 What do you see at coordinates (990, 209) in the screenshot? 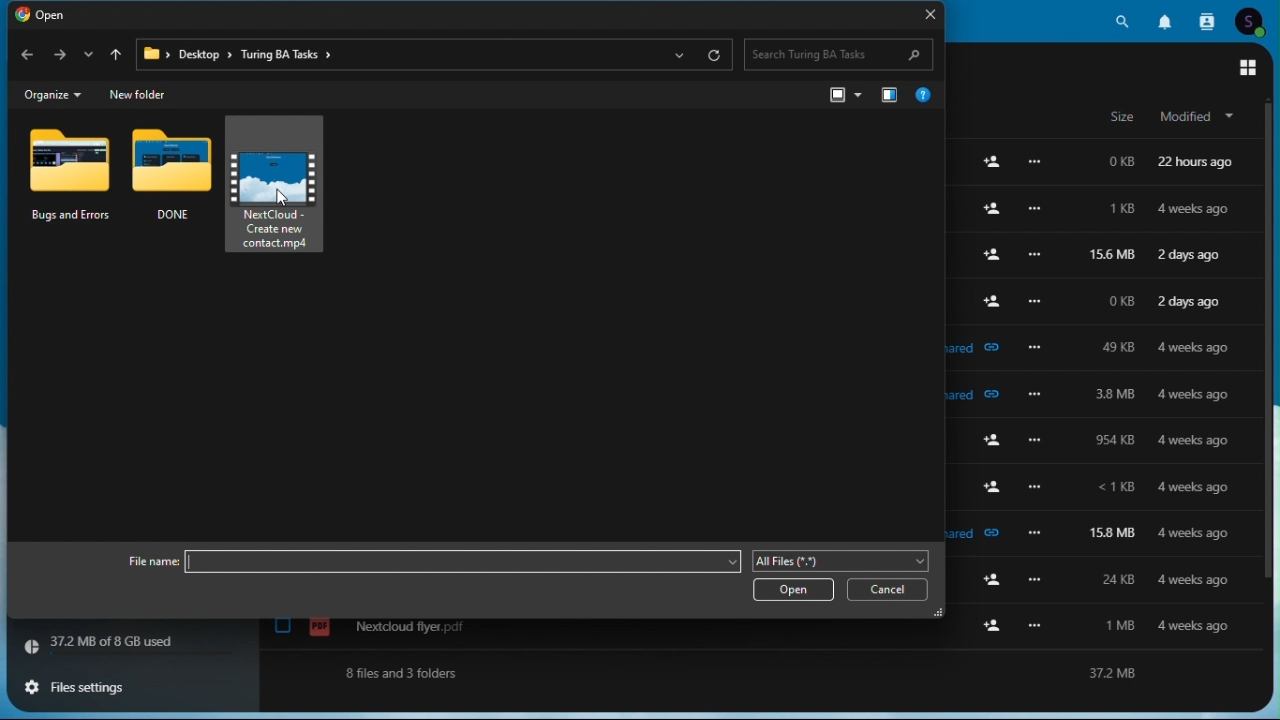
I see `add user` at bounding box center [990, 209].